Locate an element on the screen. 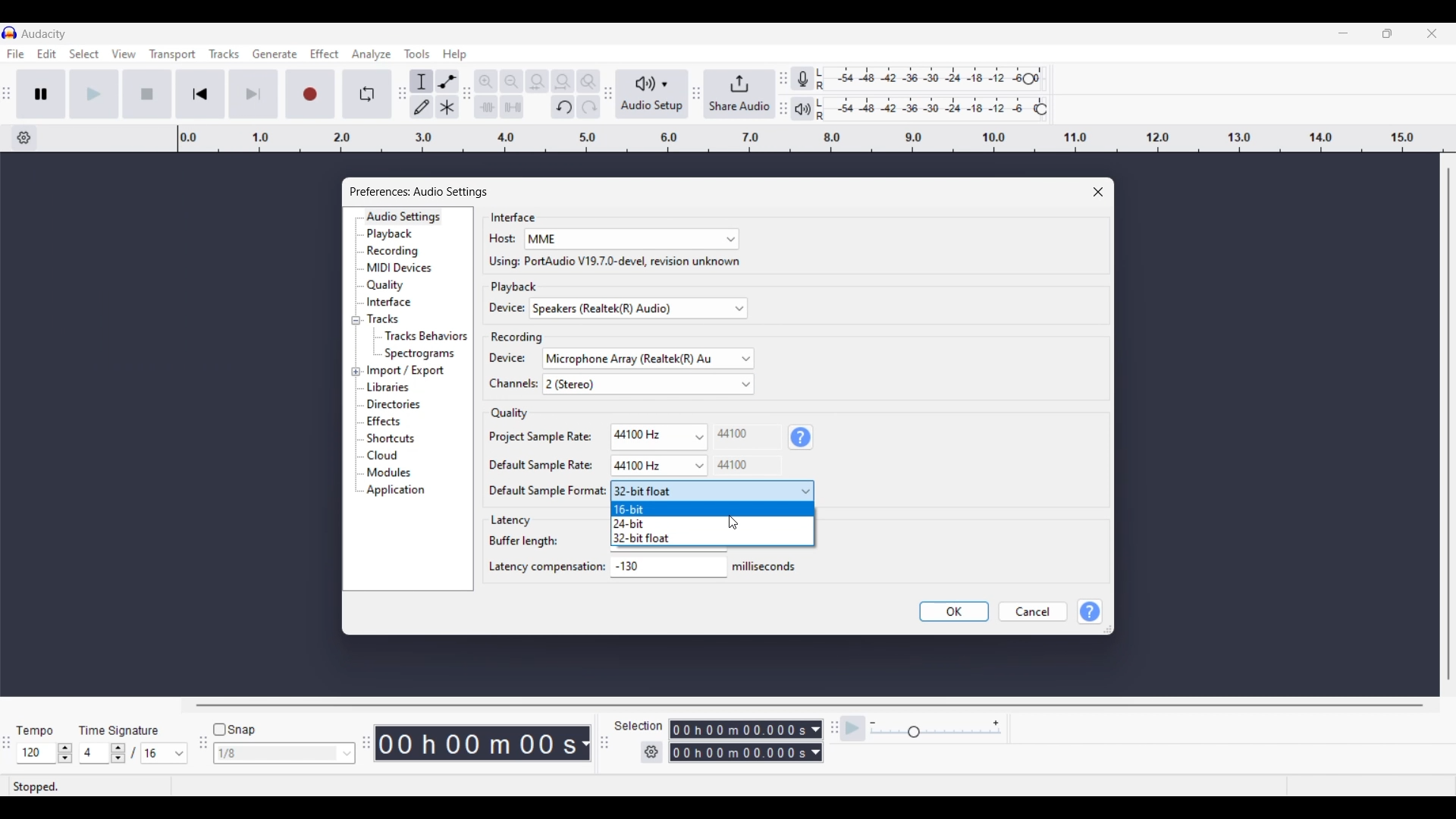 The width and height of the screenshot is (1456, 819). Status of recording is located at coordinates (89, 786).